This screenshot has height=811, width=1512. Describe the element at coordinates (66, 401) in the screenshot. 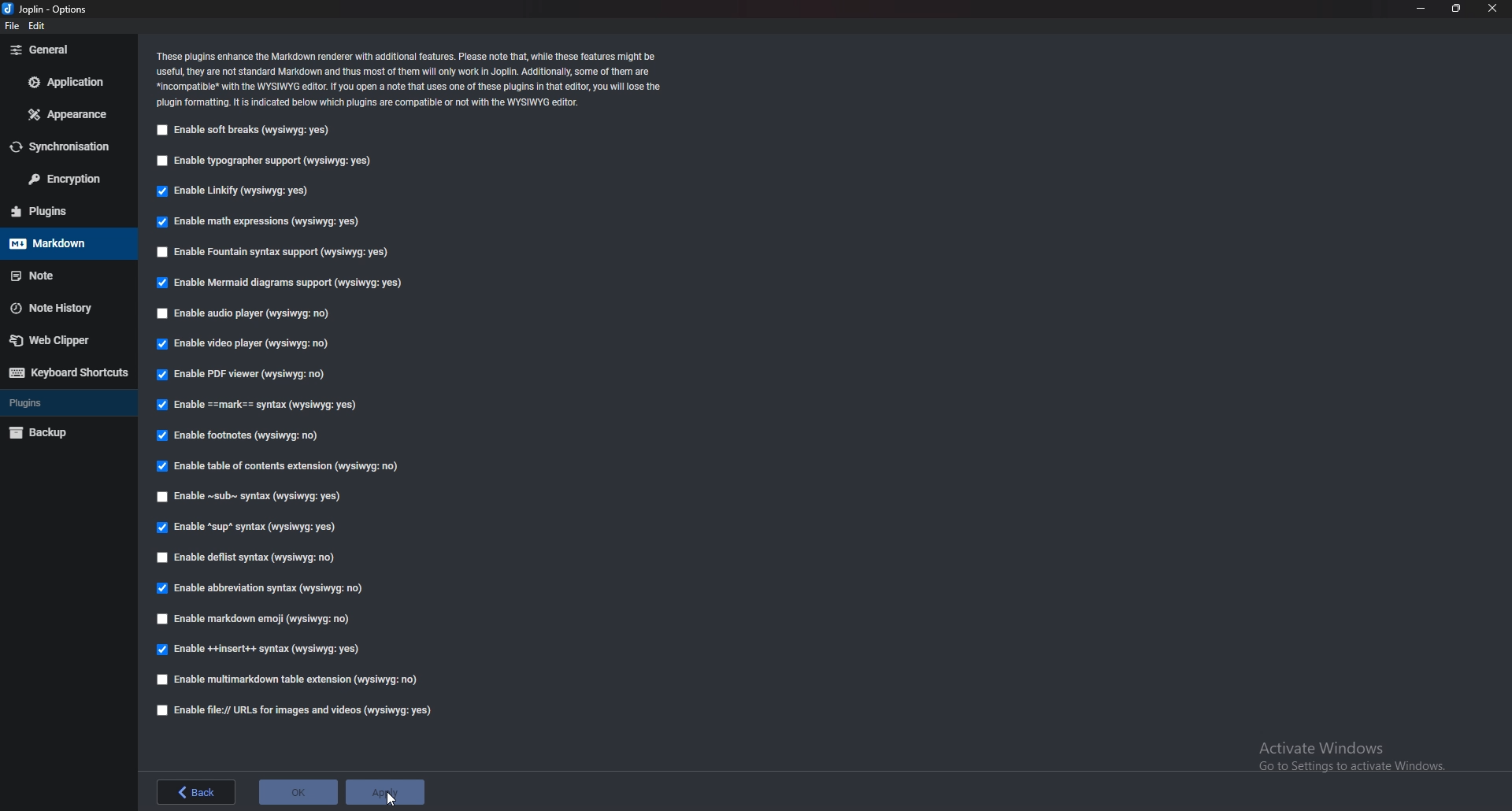

I see `Plugins` at that location.